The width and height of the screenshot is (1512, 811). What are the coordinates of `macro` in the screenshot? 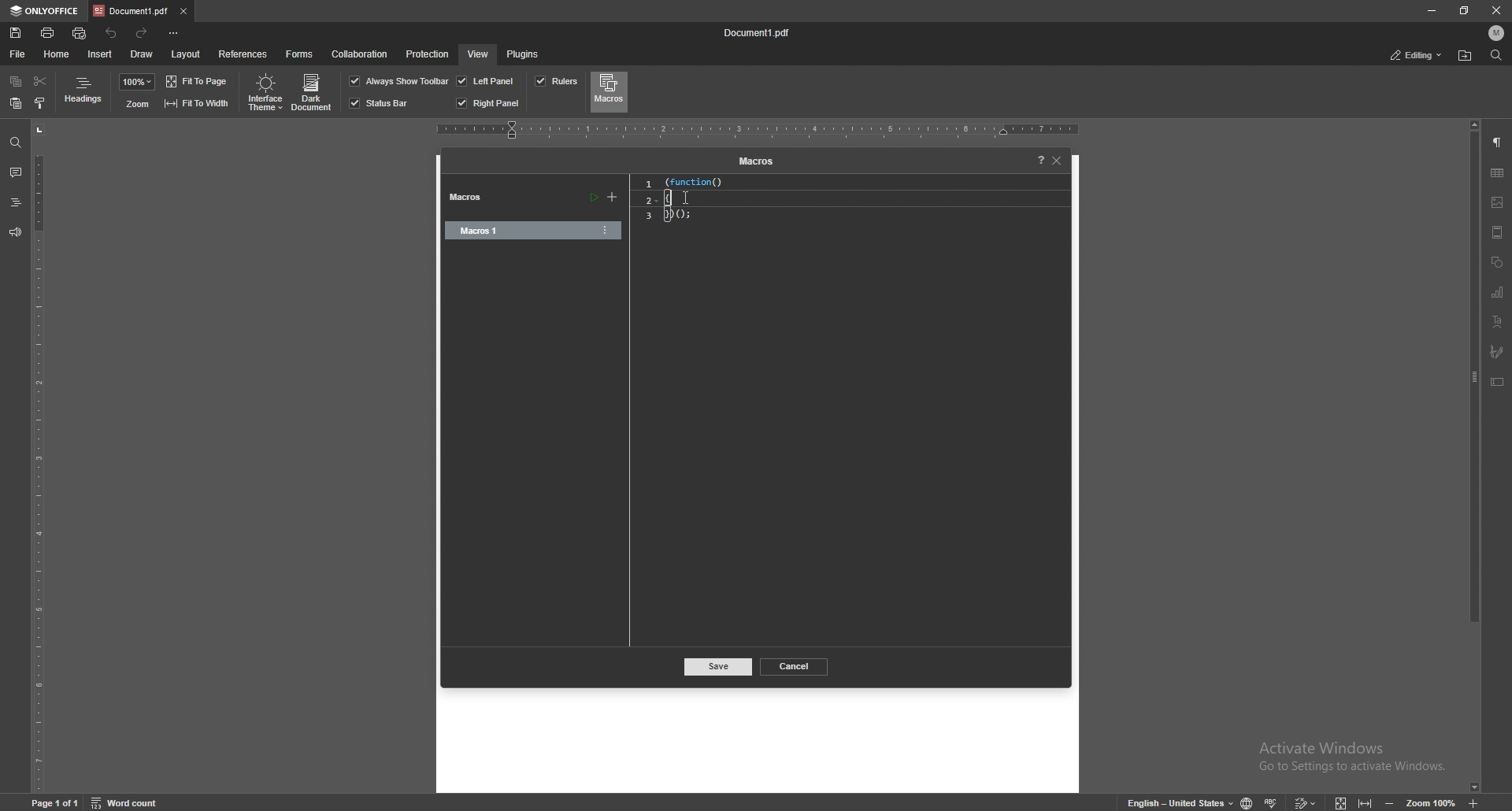 It's located at (514, 231).